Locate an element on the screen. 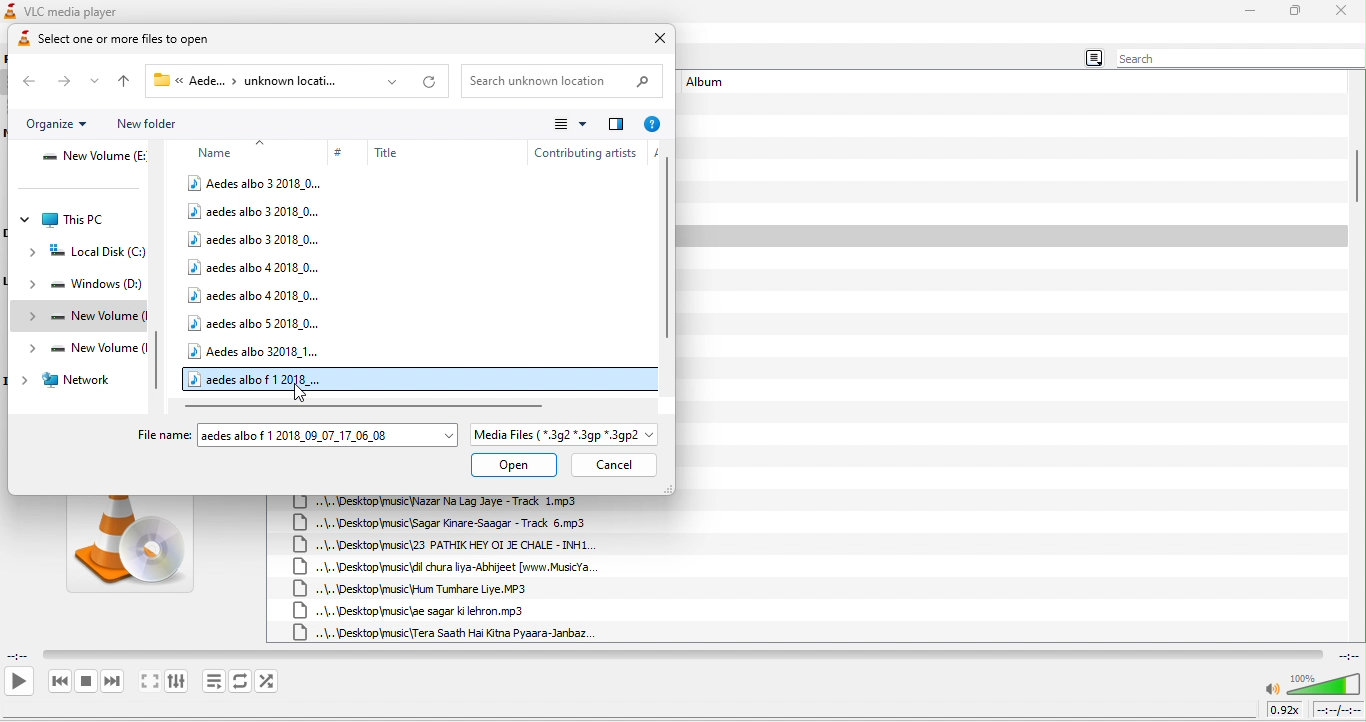  back is located at coordinates (29, 82).